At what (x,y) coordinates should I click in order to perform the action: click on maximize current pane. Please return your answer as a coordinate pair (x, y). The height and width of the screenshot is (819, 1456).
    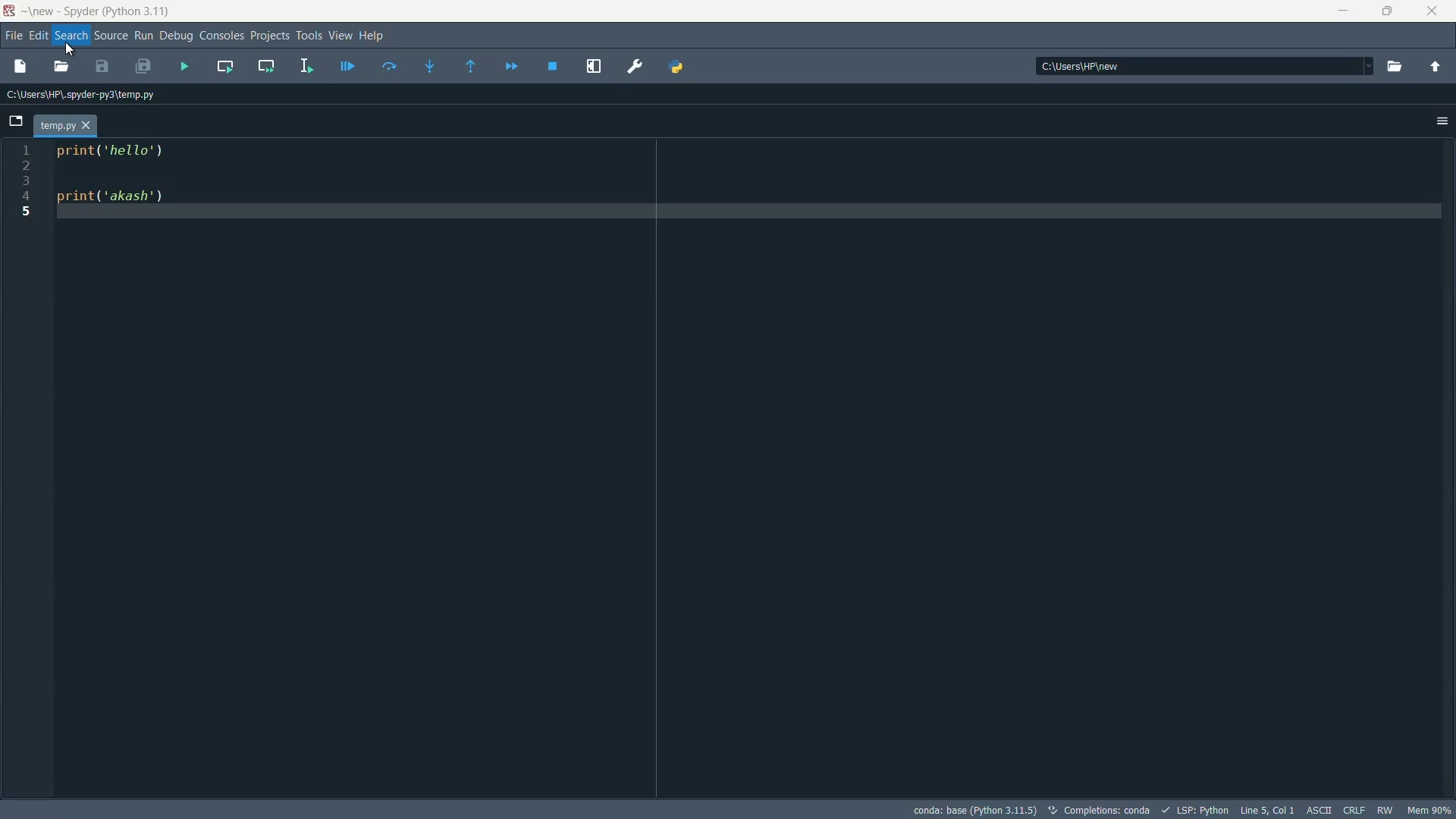
    Looking at the image, I should click on (593, 66).